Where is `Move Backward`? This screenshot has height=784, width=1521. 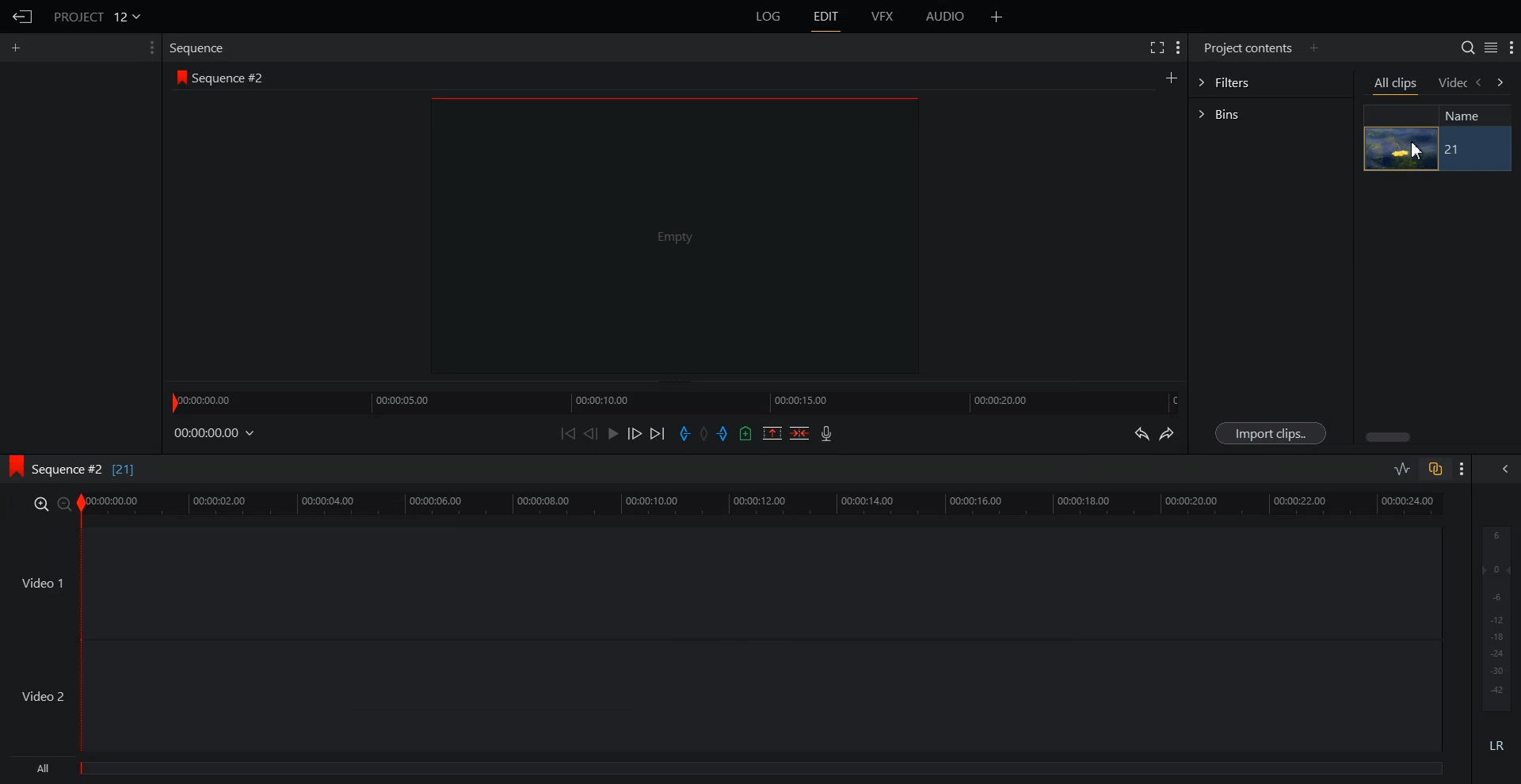
Move Backward is located at coordinates (570, 432).